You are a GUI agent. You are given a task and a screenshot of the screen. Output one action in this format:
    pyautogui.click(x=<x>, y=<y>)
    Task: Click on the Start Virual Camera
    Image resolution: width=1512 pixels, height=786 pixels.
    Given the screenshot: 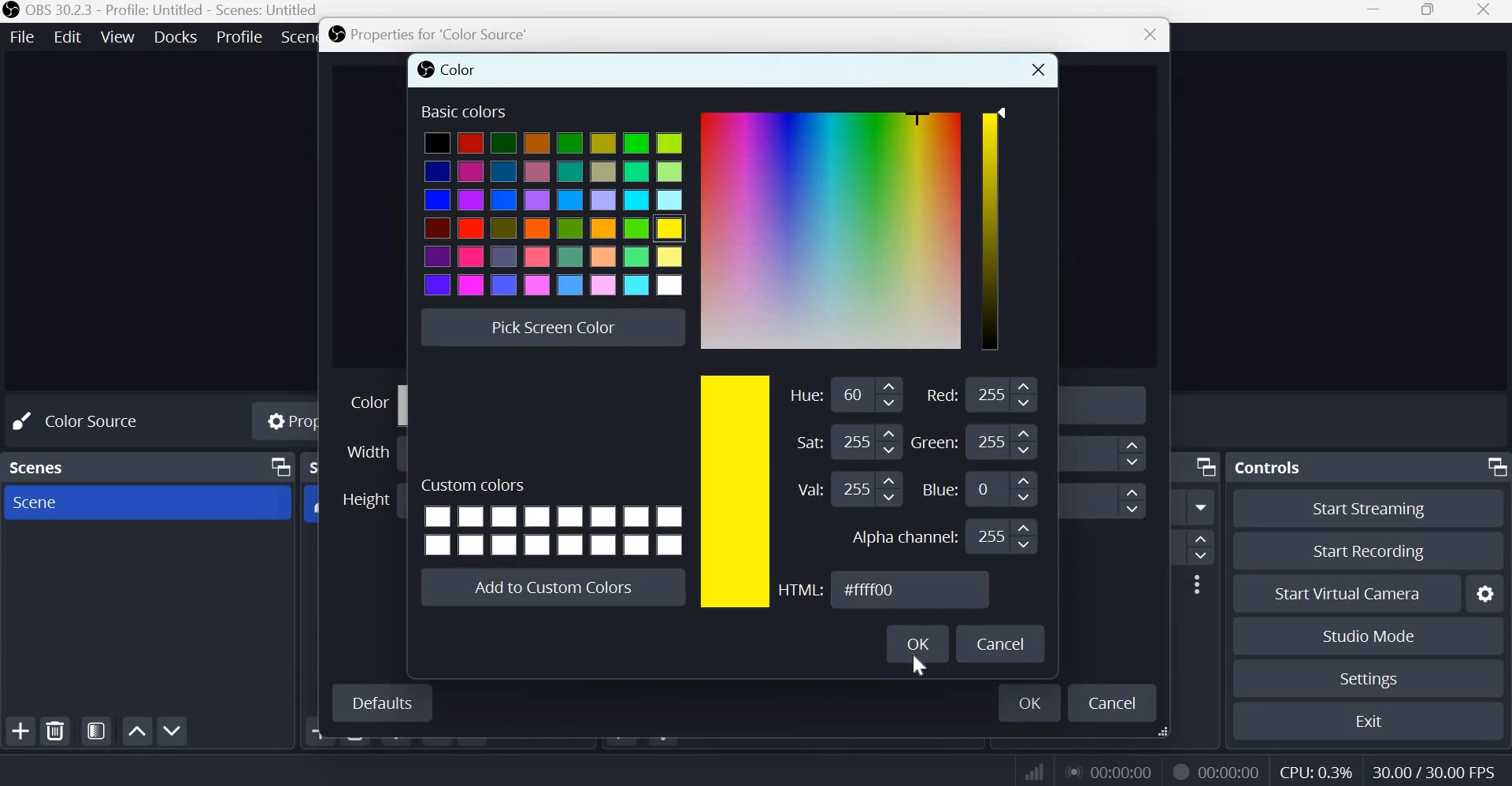 What is the action you would take?
    pyautogui.click(x=1347, y=595)
    